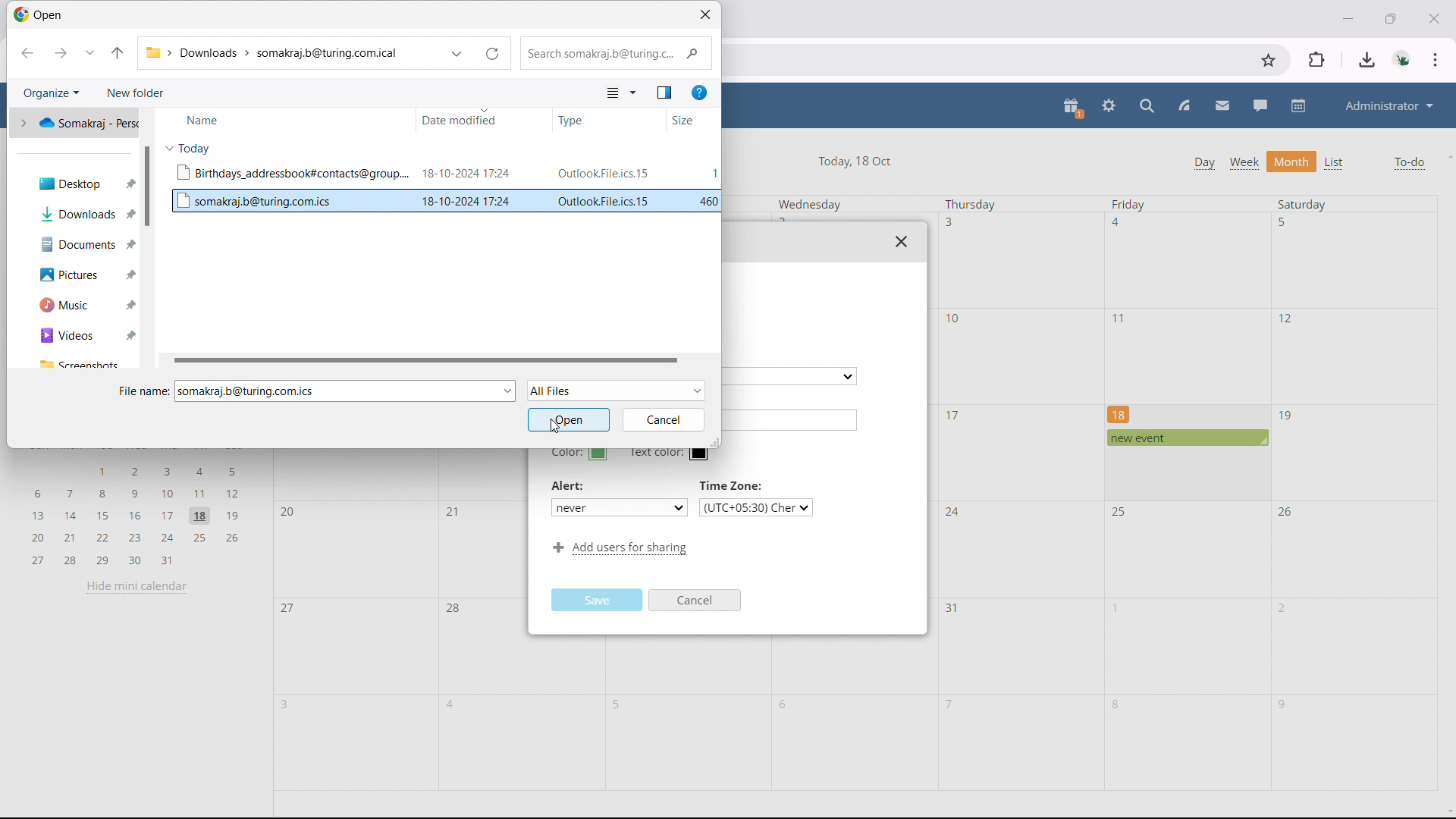 Image resolution: width=1456 pixels, height=819 pixels. Describe the element at coordinates (714, 174) in the screenshot. I see `1` at that location.